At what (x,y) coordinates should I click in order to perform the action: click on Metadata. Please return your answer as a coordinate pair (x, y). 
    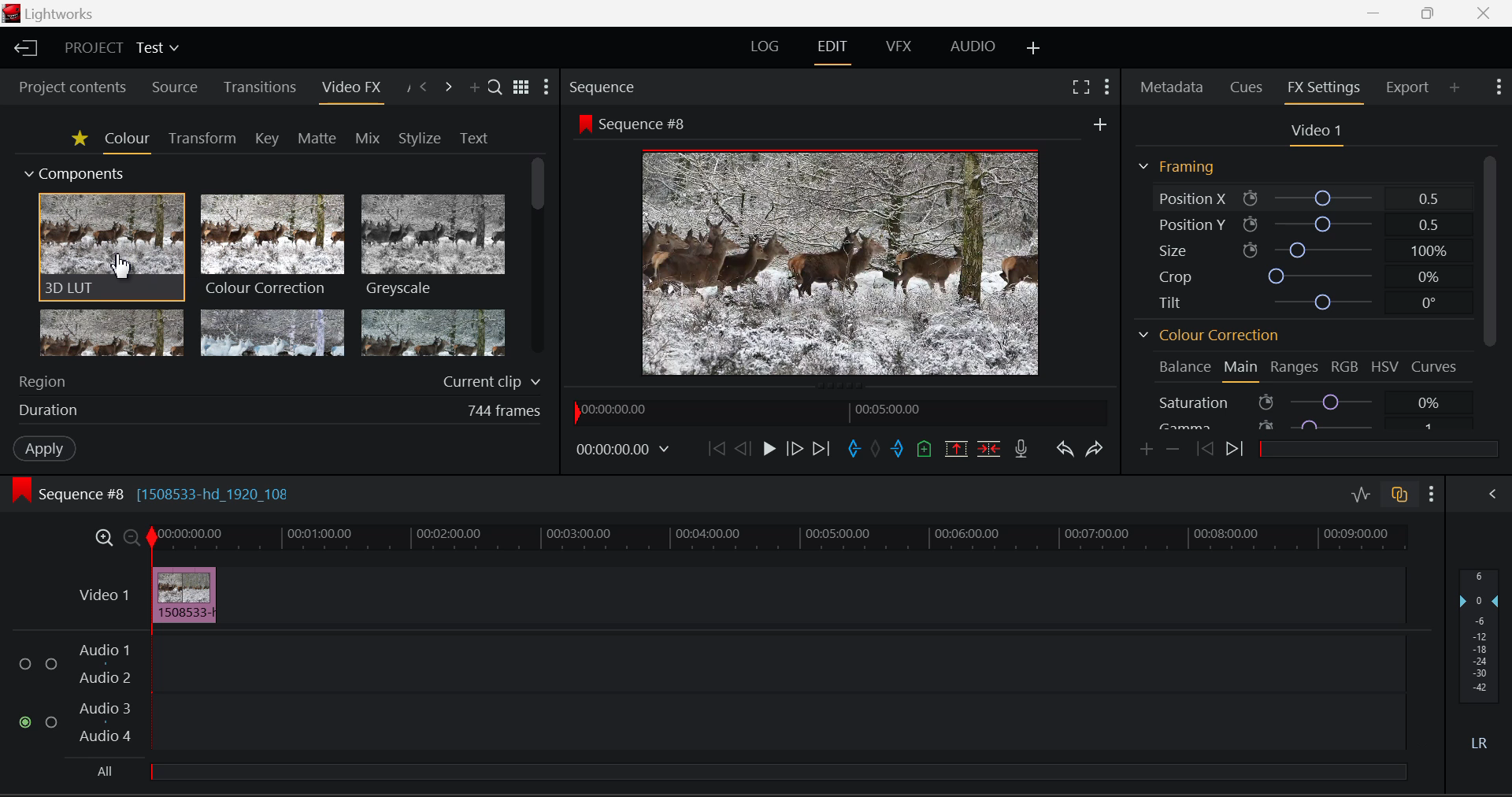
    Looking at the image, I should click on (1170, 87).